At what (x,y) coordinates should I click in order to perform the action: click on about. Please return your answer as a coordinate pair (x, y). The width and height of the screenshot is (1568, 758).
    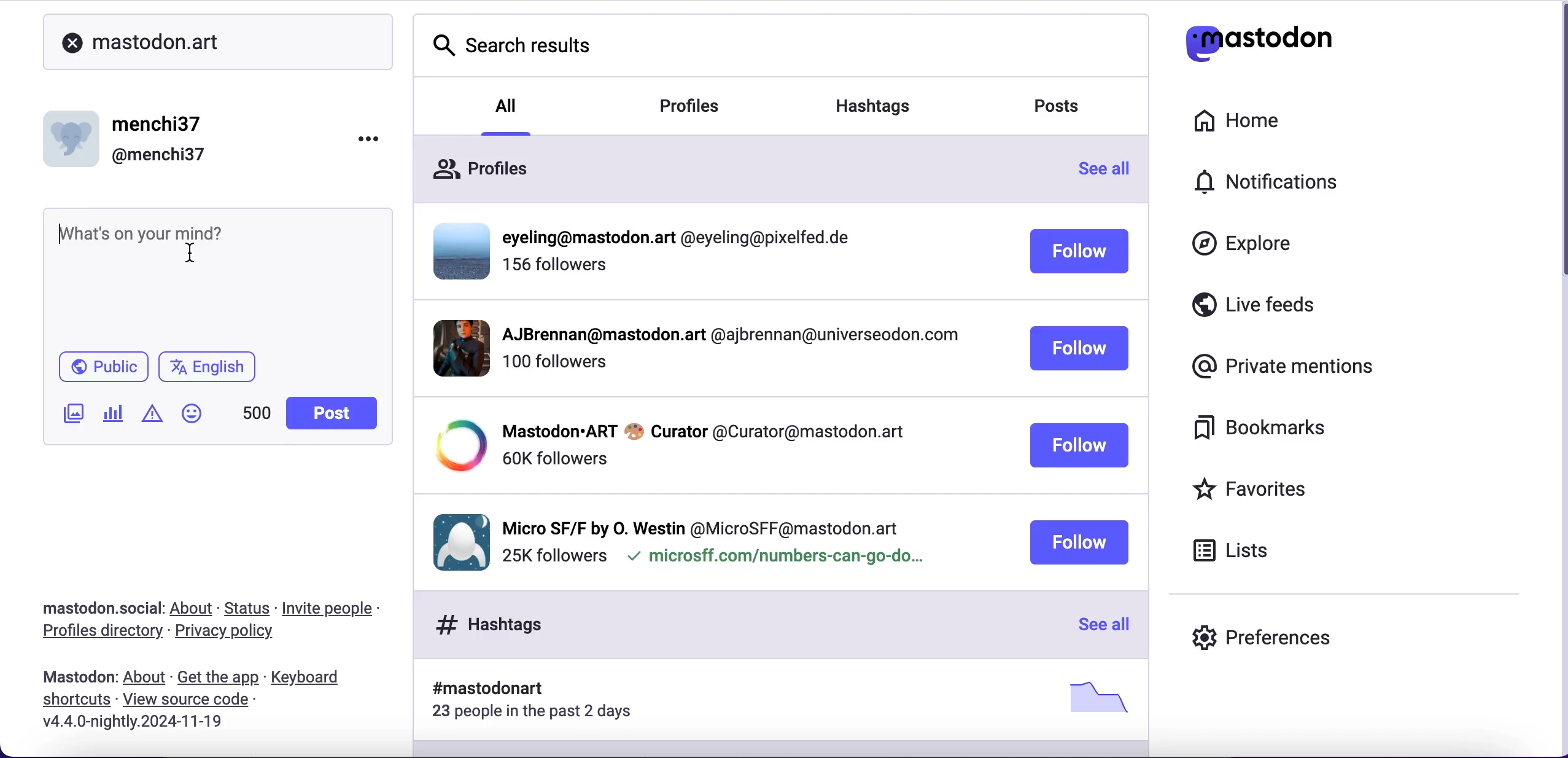
    Looking at the image, I should click on (146, 677).